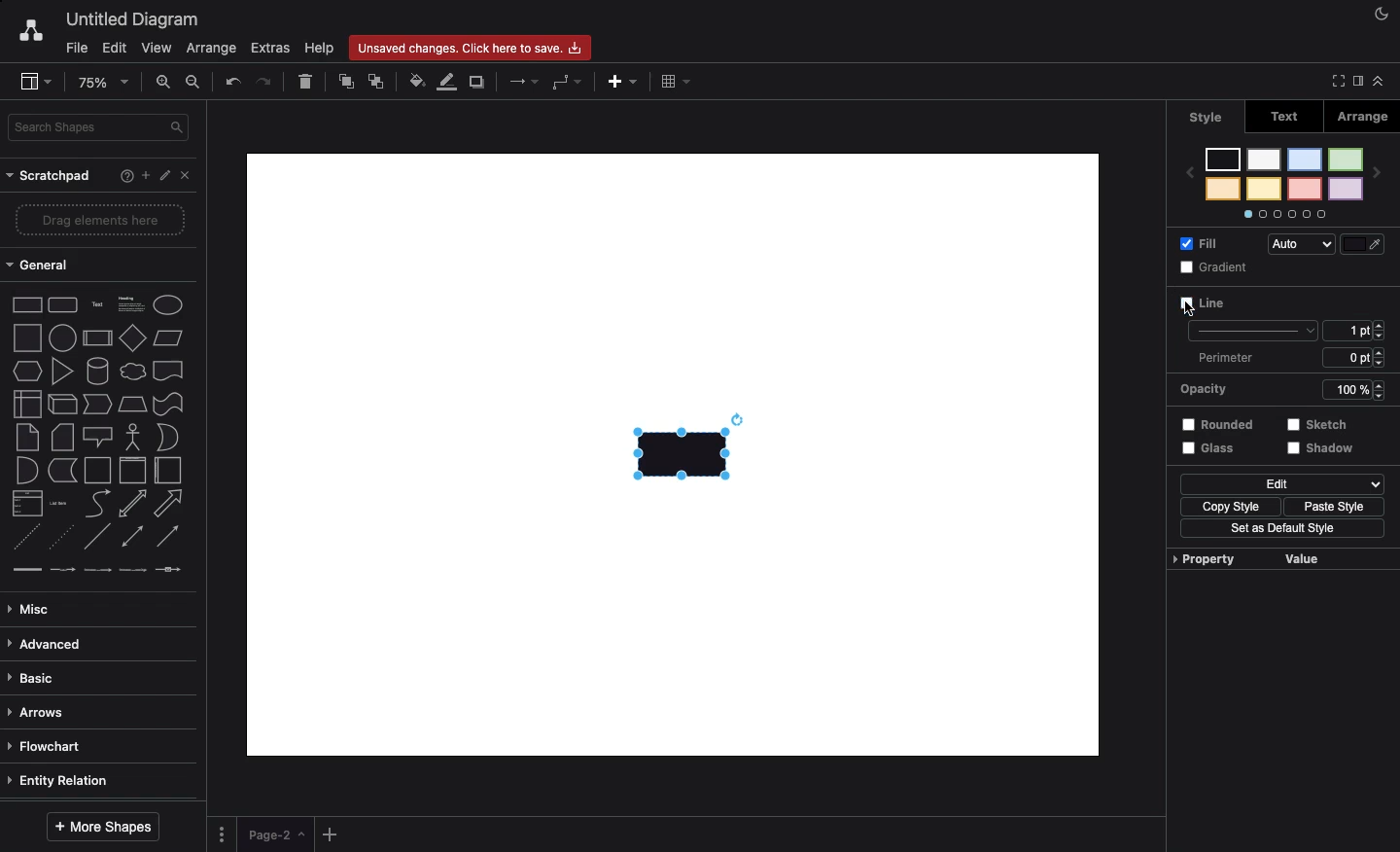 Image resolution: width=1400 pixels, height=852 pixels. I want to click on color 8, so click(1222, 189).